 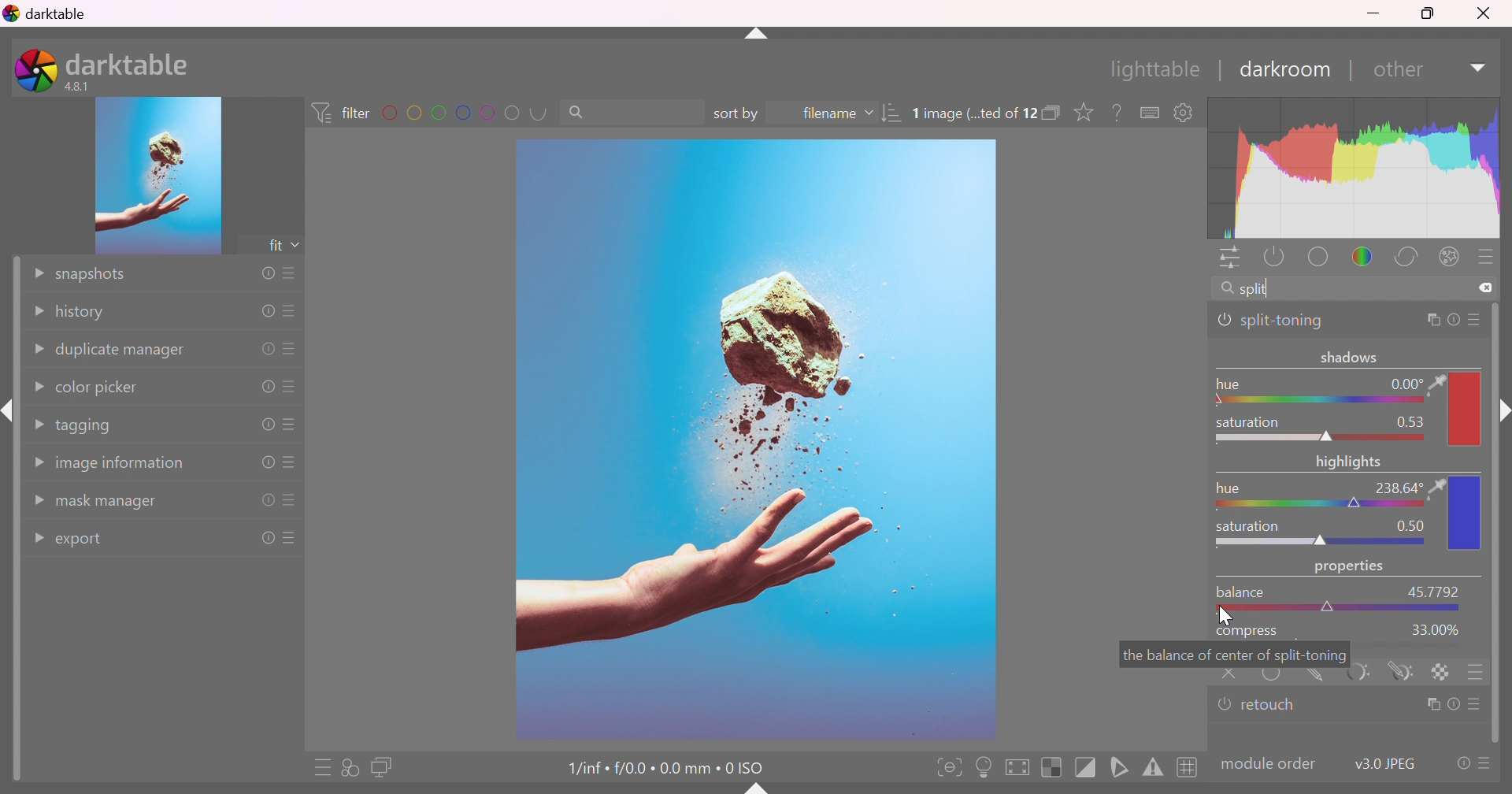 I want to click on 1/inf • f/0.0 • 0.0 mm • 0 ISO, so click(x=656, y=769).